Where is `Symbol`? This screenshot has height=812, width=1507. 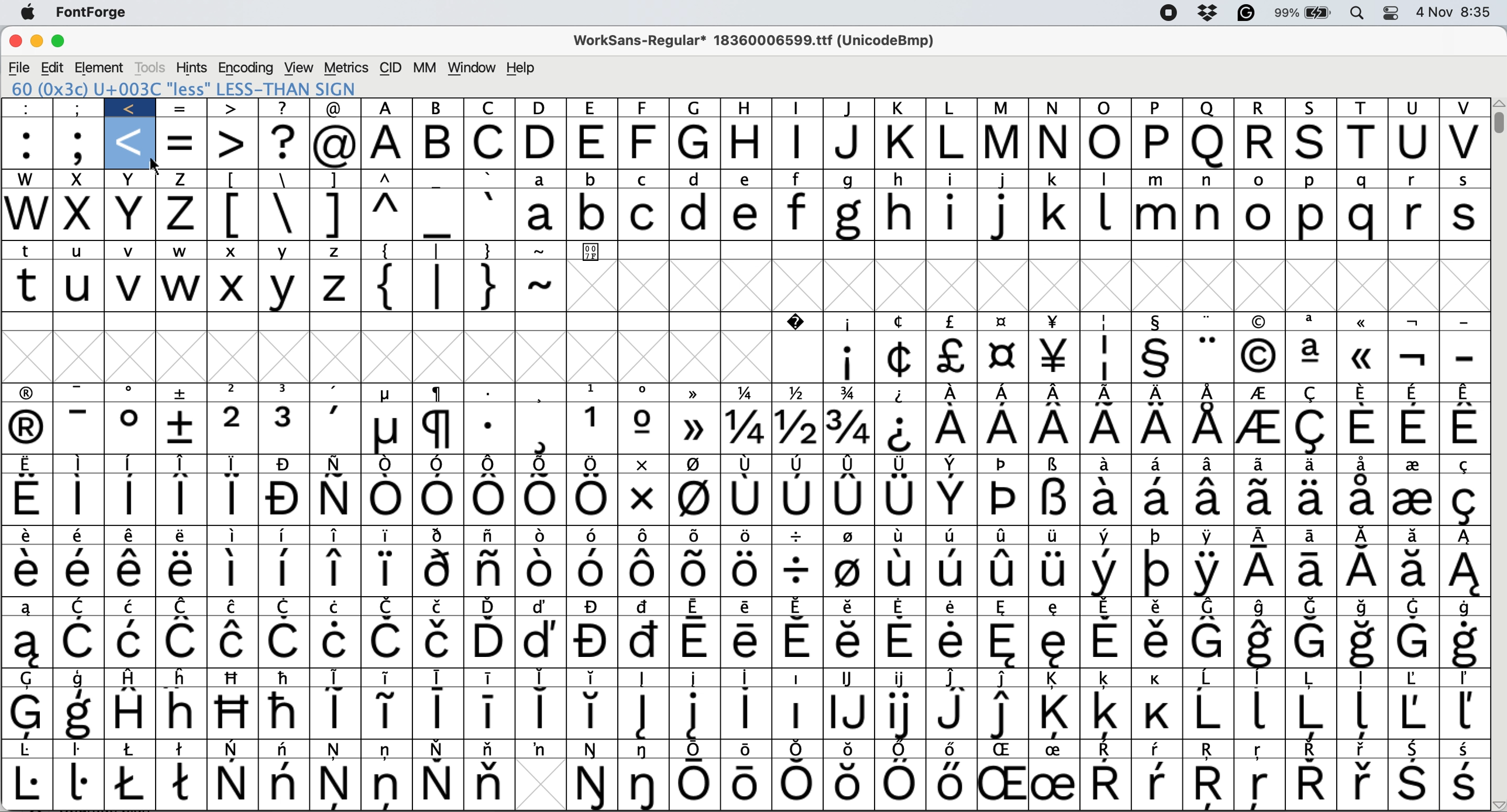 Symbol is located at coordinates (1361, 713).